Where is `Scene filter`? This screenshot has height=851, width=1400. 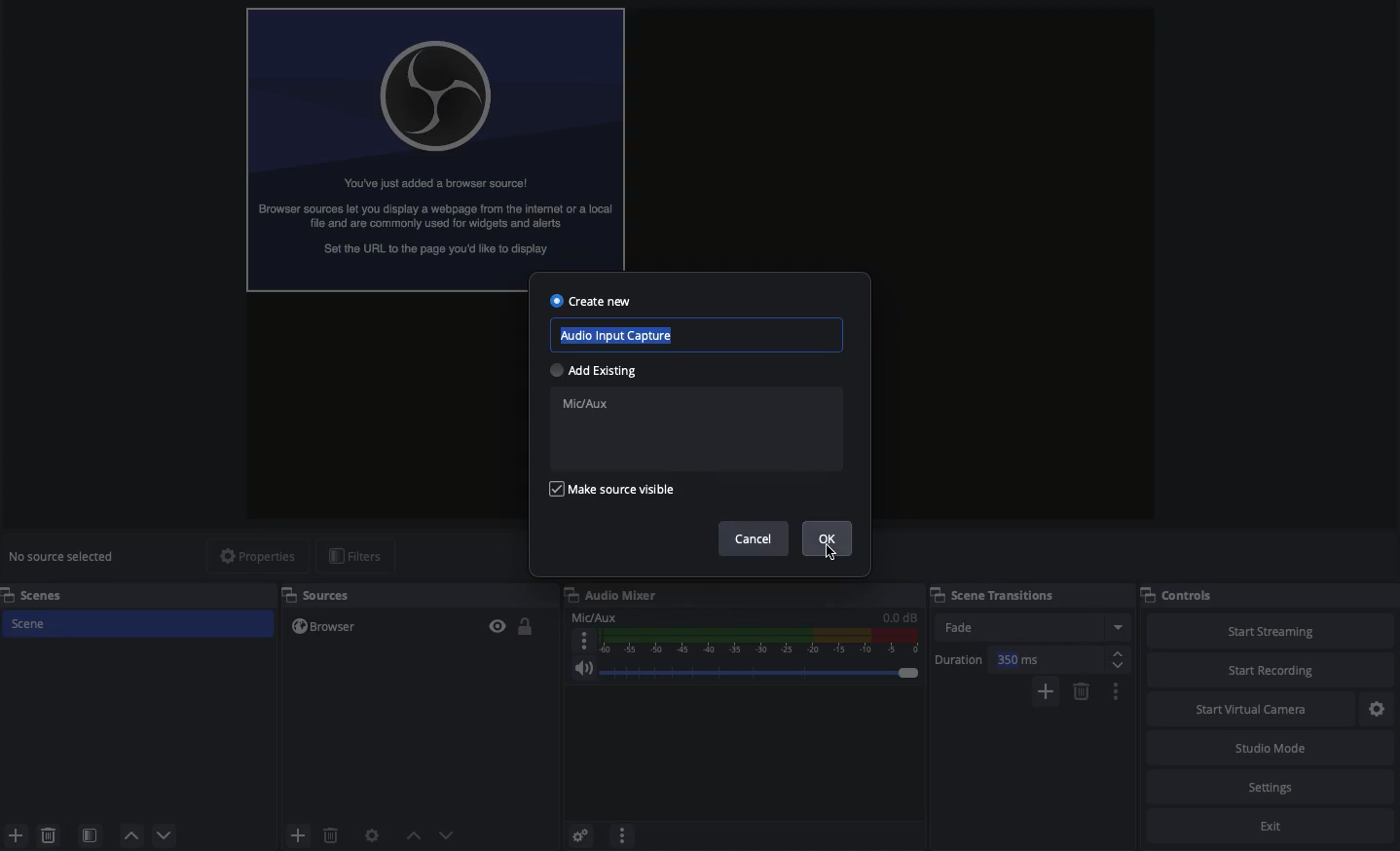 Scene filter is located at coordinates (91, 835).